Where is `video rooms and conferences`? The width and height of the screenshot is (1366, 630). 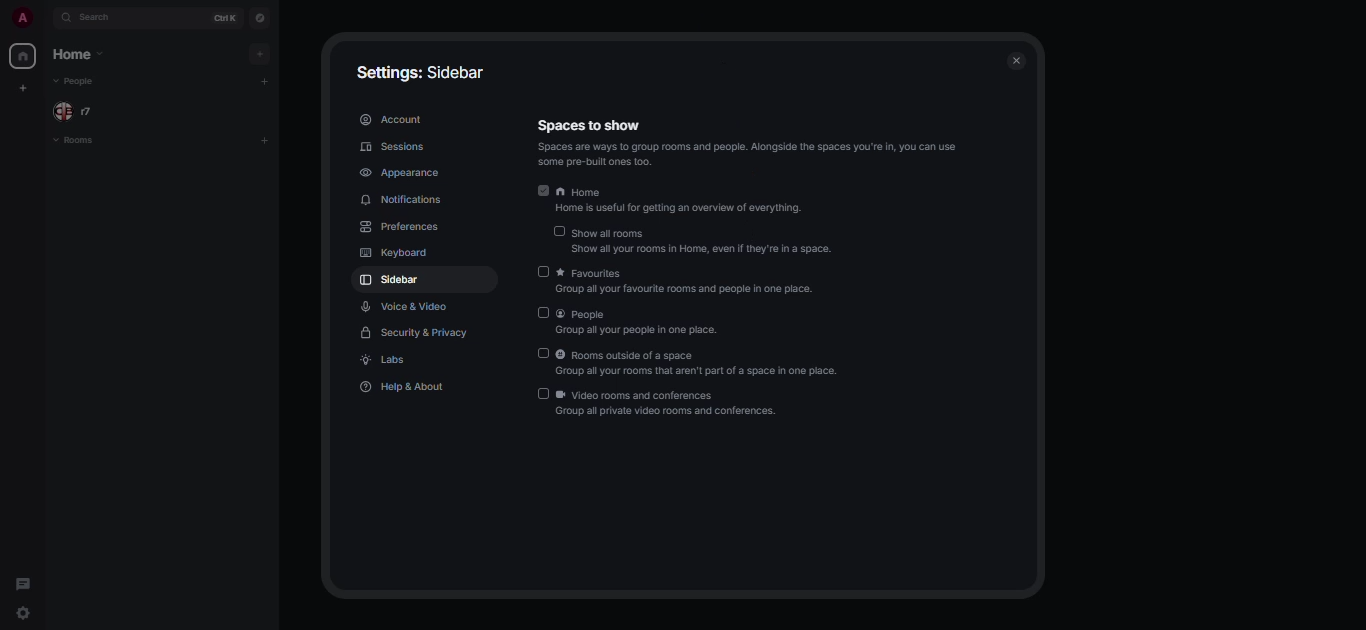 video rooms and conferences is located at coordinates (669, 403).